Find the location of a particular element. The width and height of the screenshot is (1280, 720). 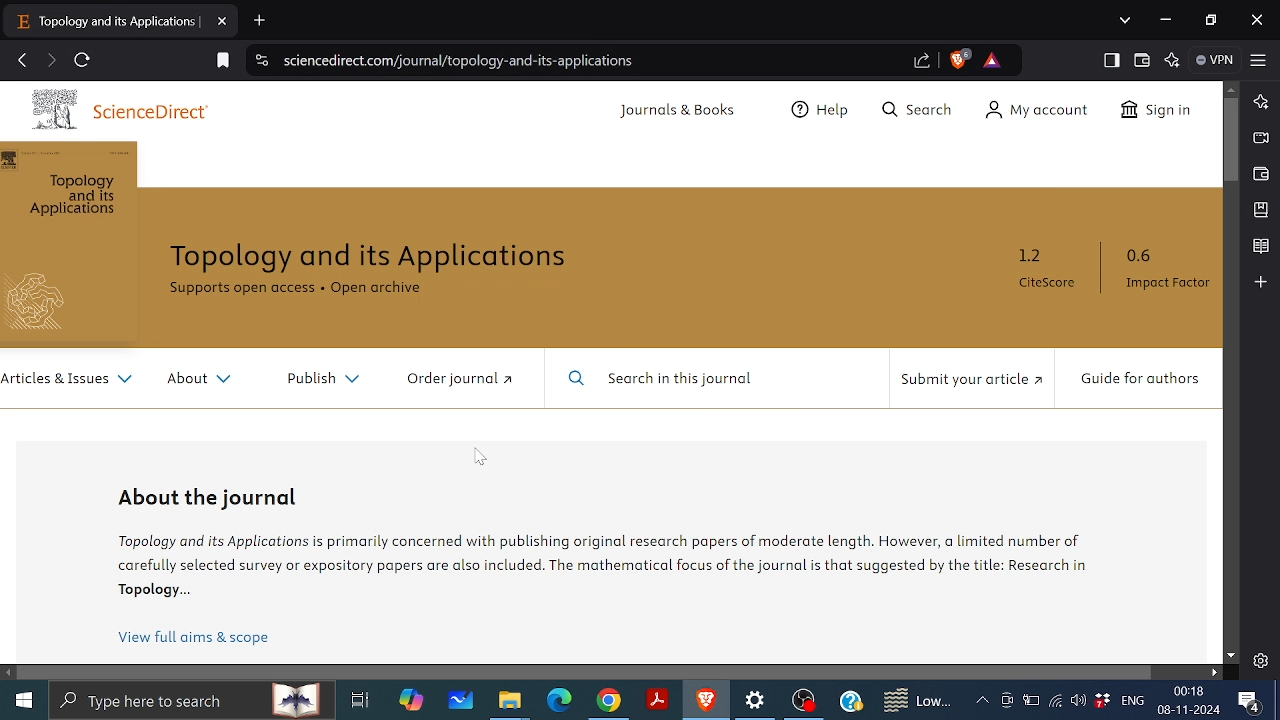

About is located at coordinates (205, 377).